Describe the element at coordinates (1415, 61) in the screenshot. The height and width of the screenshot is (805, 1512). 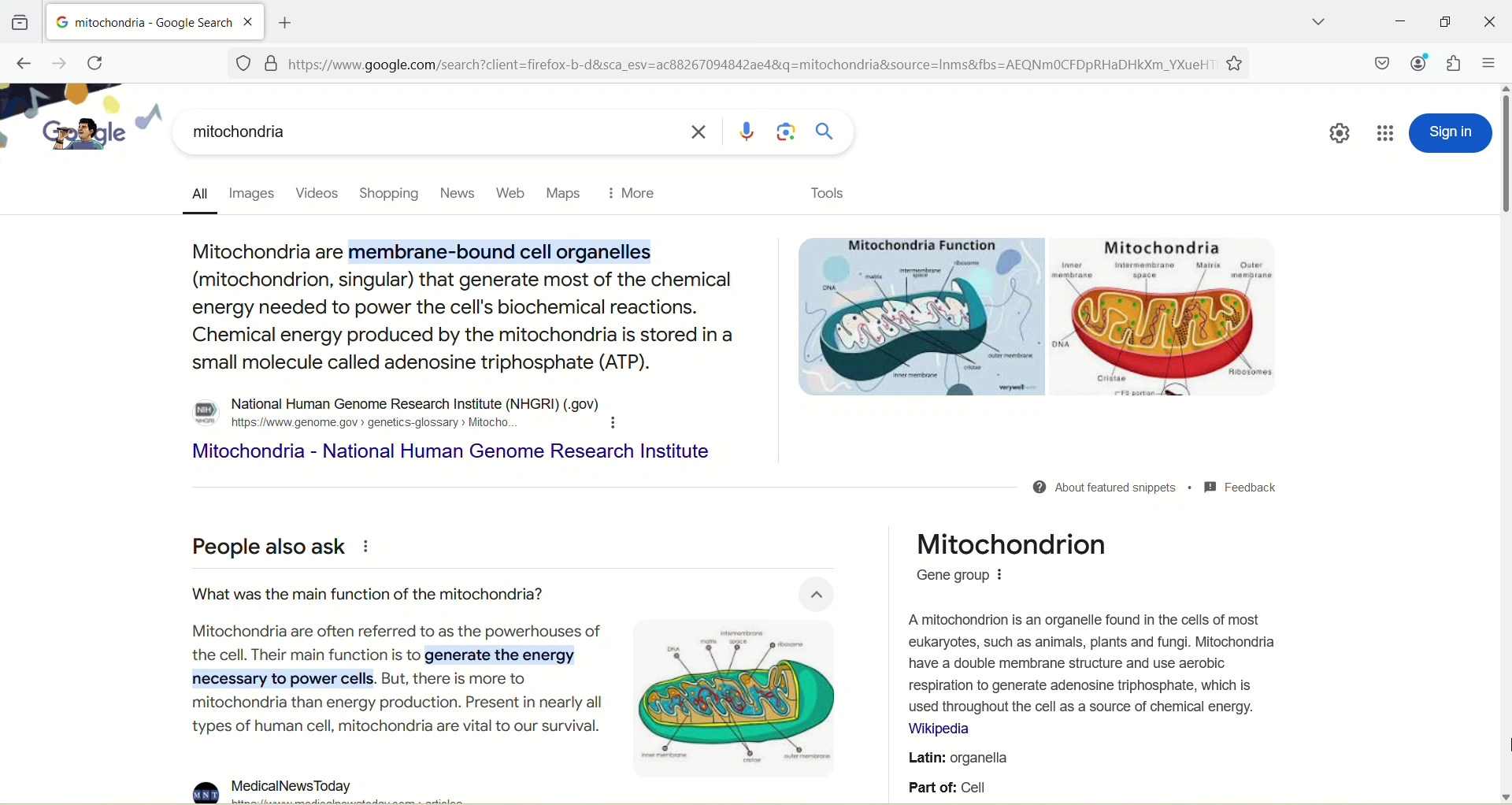
I see `account` at that location.